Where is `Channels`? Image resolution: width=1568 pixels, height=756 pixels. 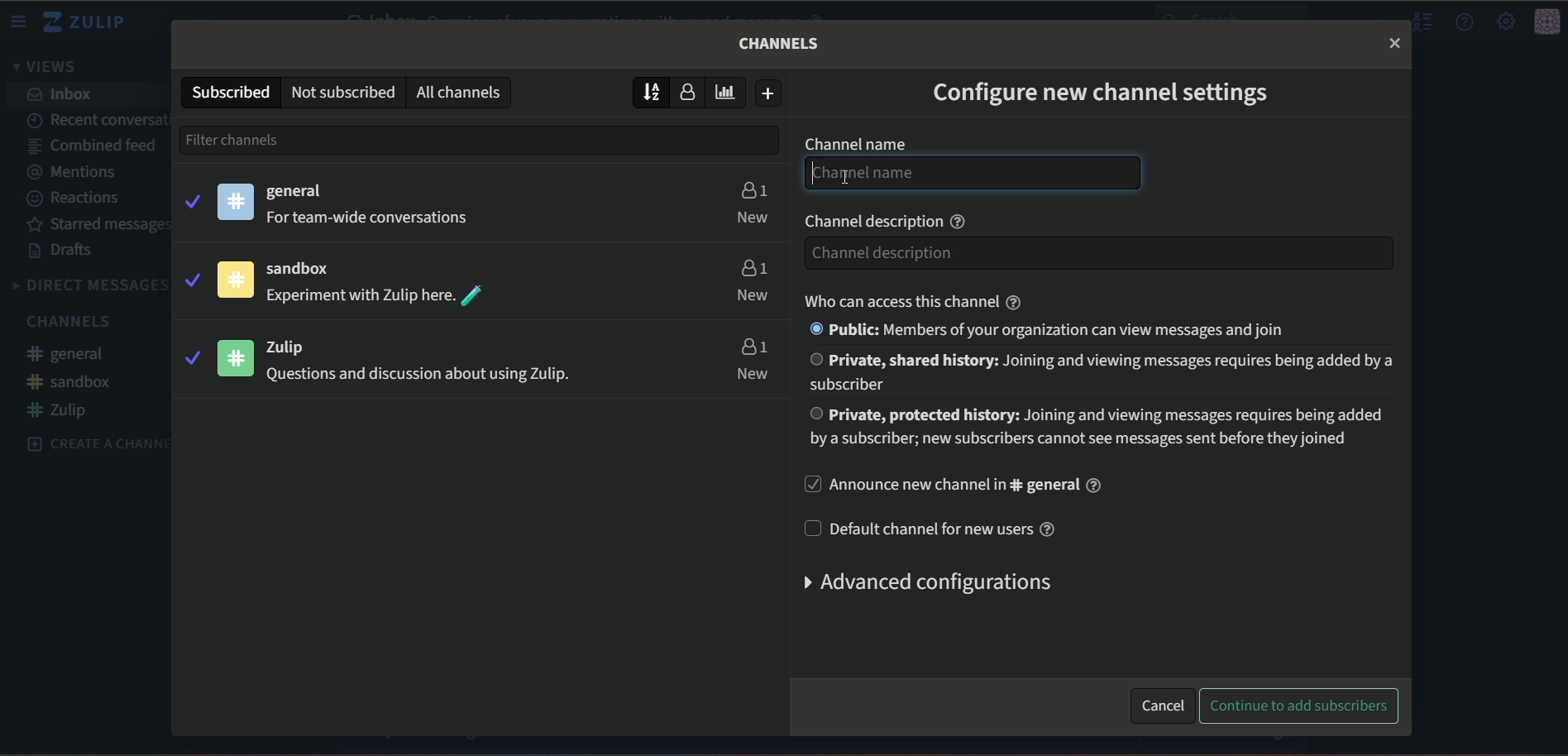
Channels is located at coordinates (781, 43).